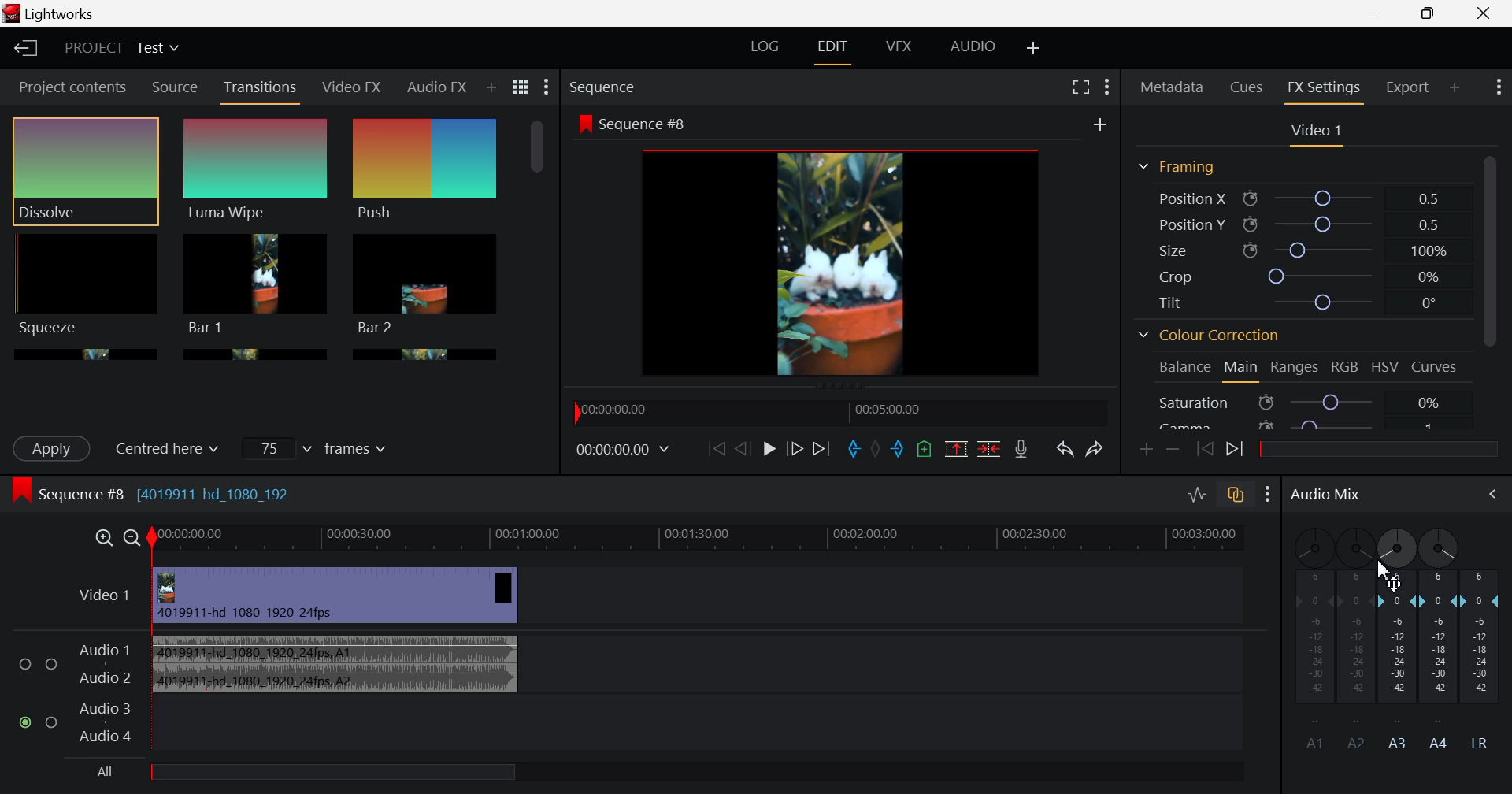  What do you see at coordinates (1308, 639) in the screenshot?
I see `A1 Channel disabled` at bounding box center [1308, 639].